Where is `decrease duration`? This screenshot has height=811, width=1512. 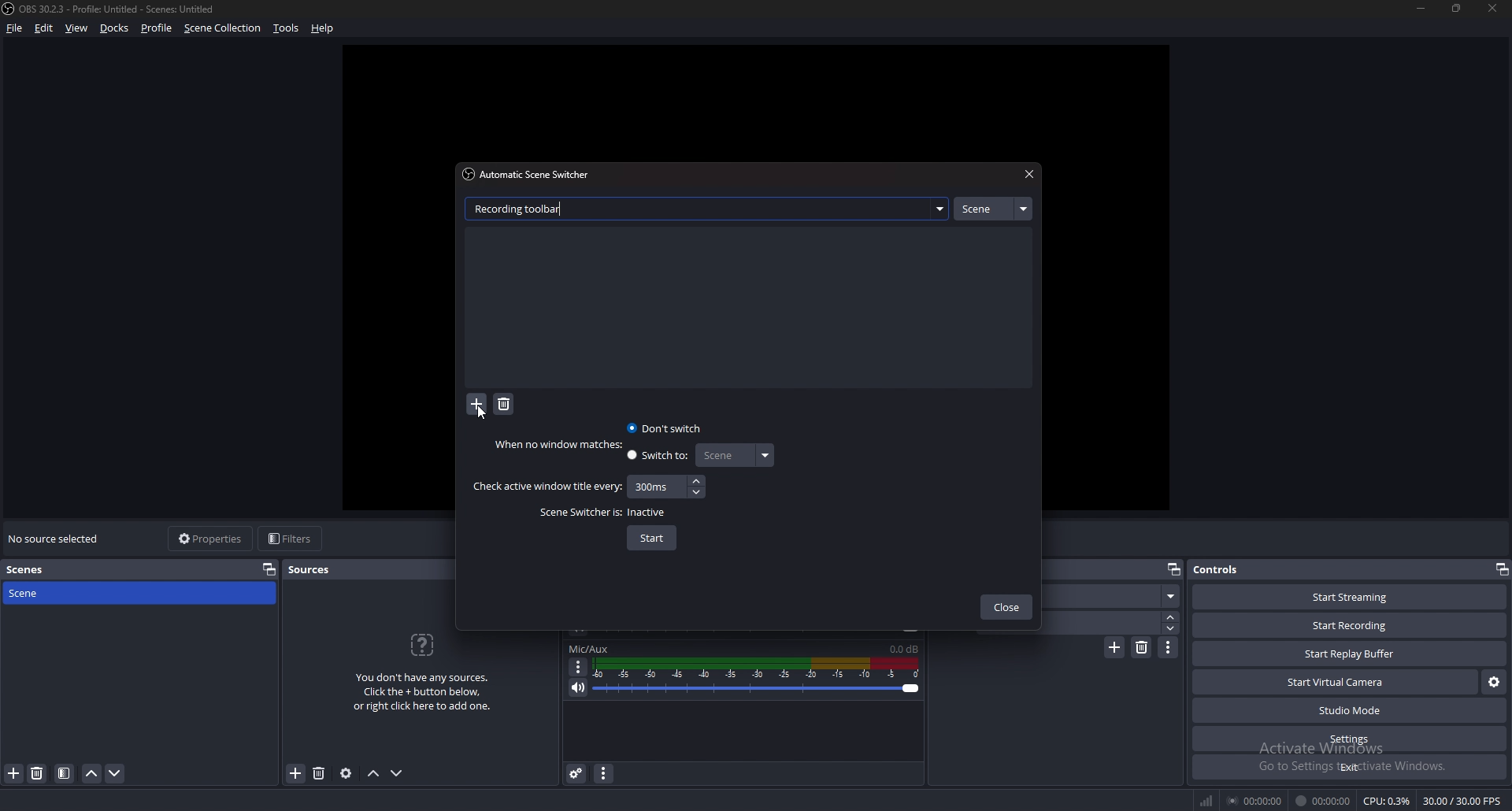 decrease duration is located at coordinates (1173, 628).